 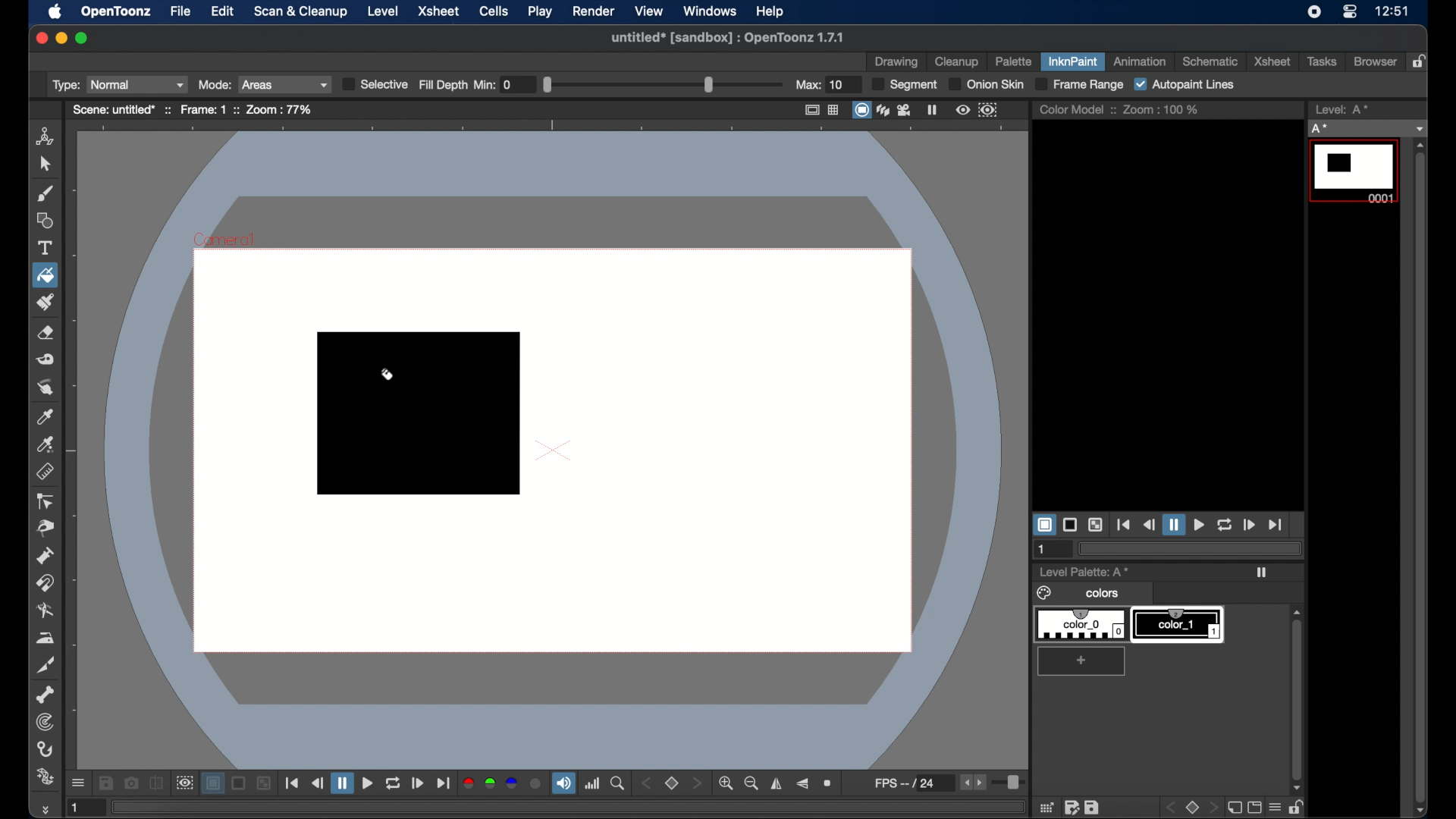 What do you see at coordinates (984, 84) in the screenshot?
I see `onion skin` at bounding box center [984, 84].